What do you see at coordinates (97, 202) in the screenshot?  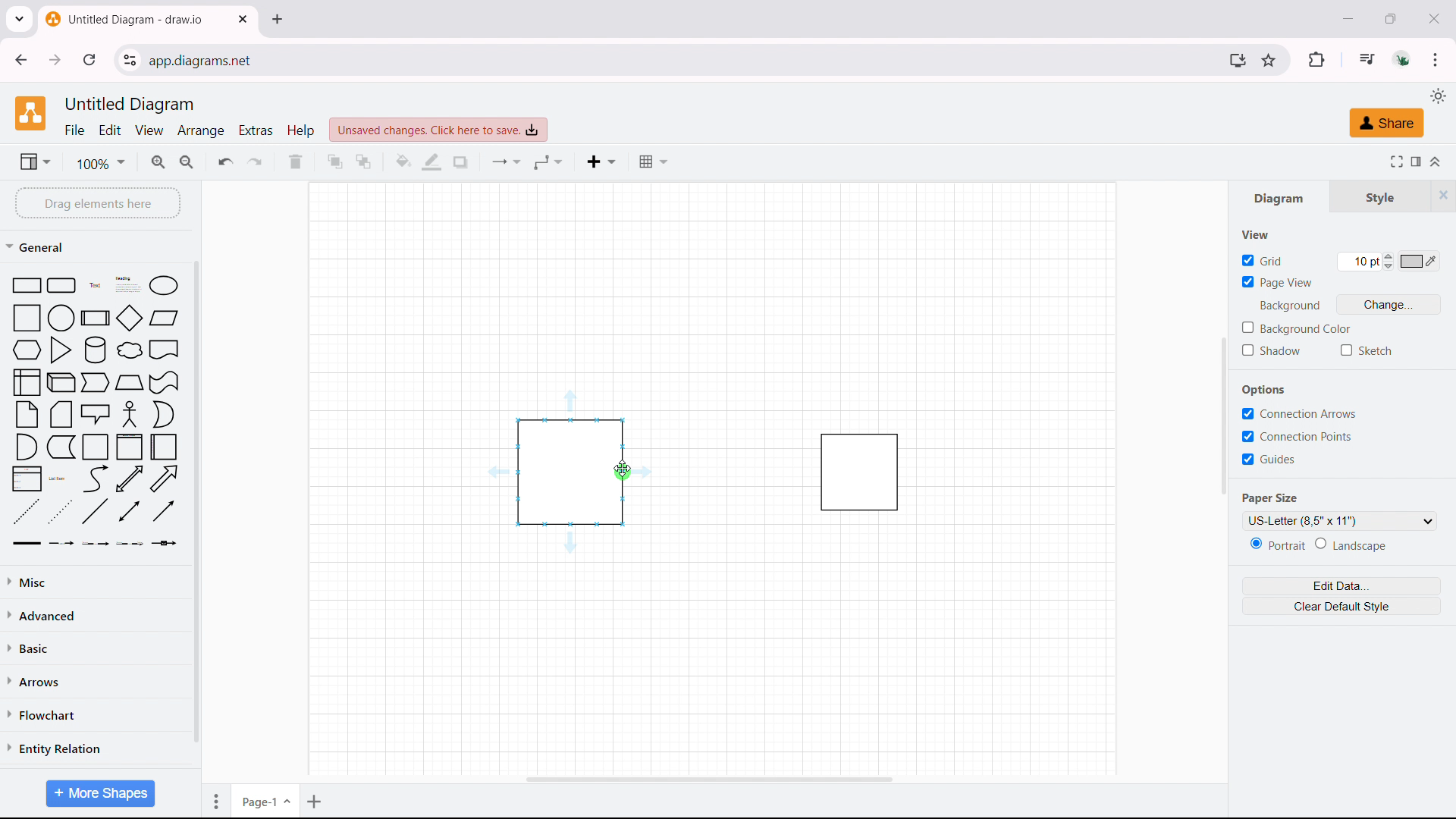 I see `drag elements here` at bounding box center [97, 202].